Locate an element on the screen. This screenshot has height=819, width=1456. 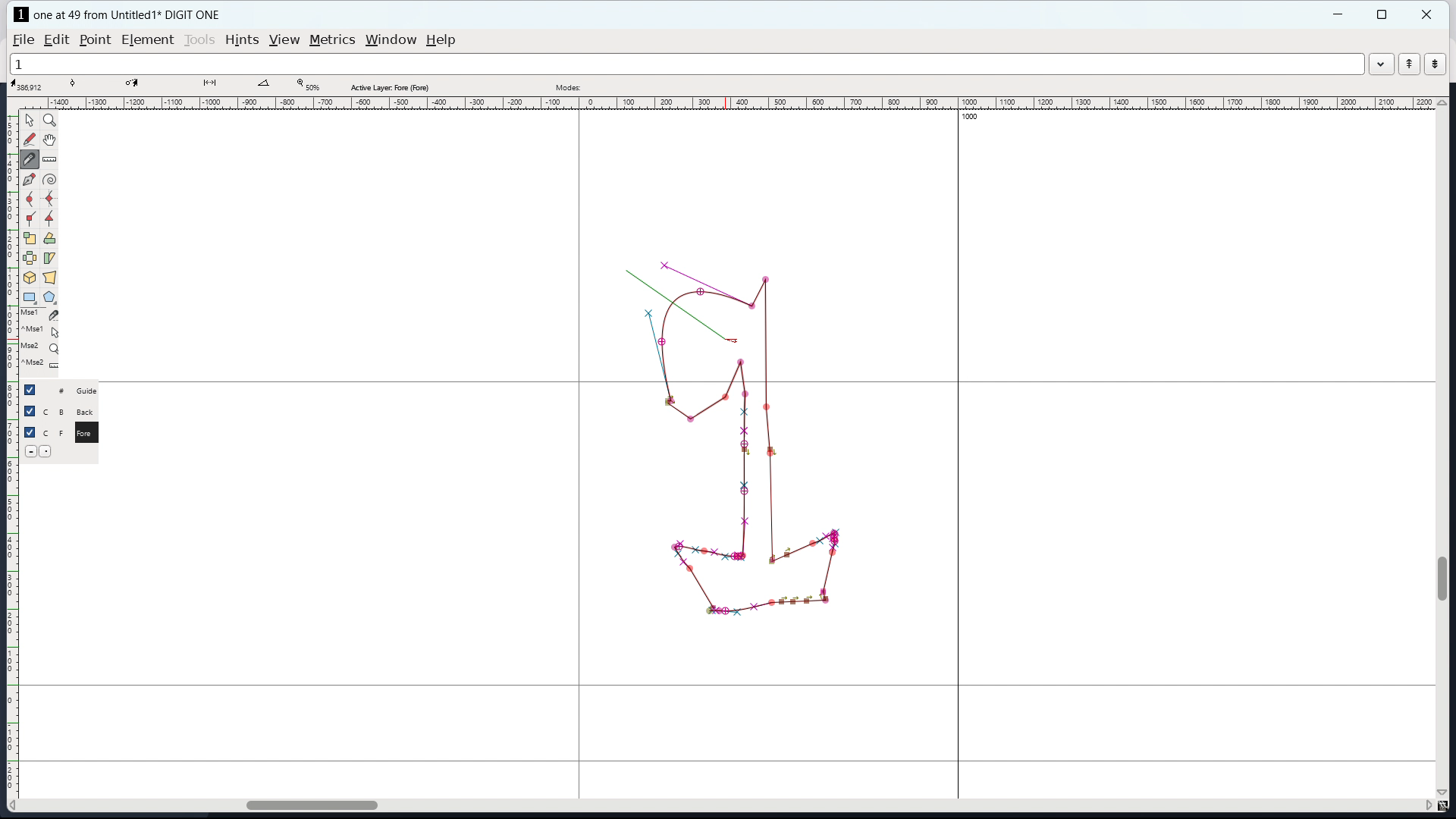
glyph is located at coordinates (749, 485).